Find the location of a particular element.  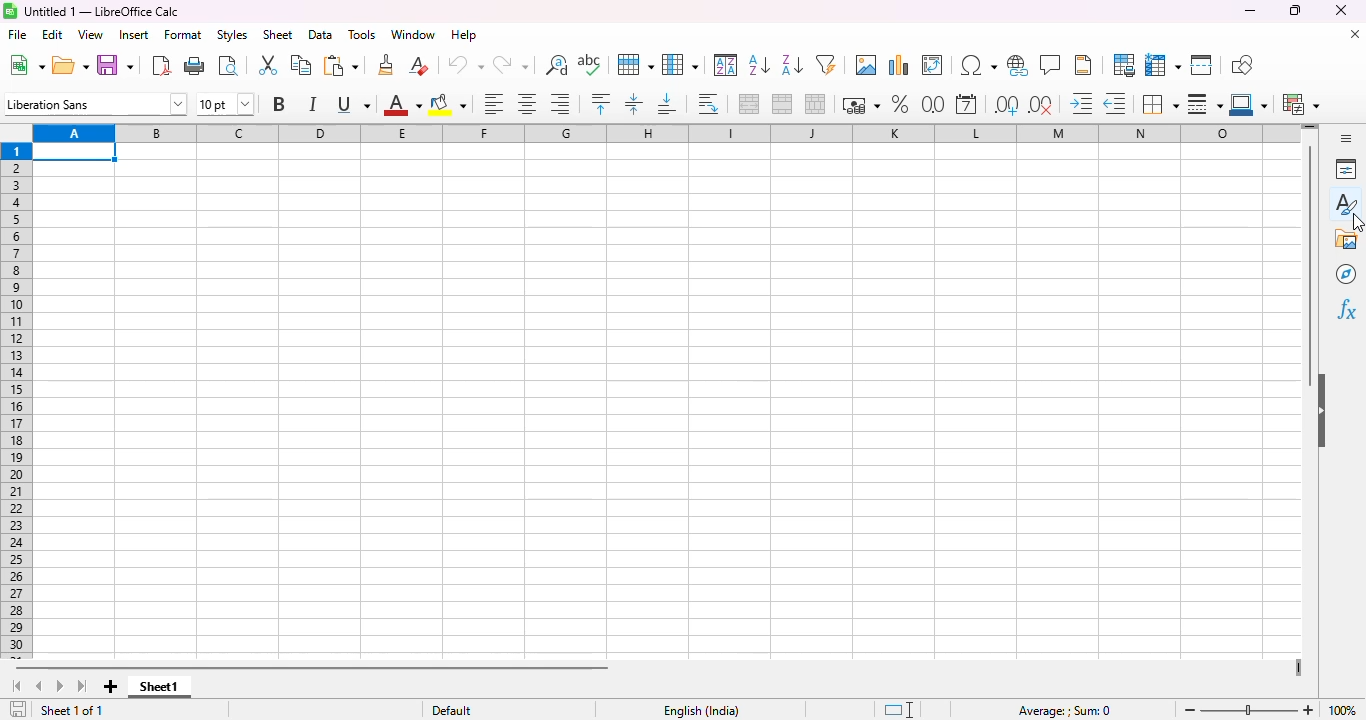

rows is located at coordinates (17, 401).